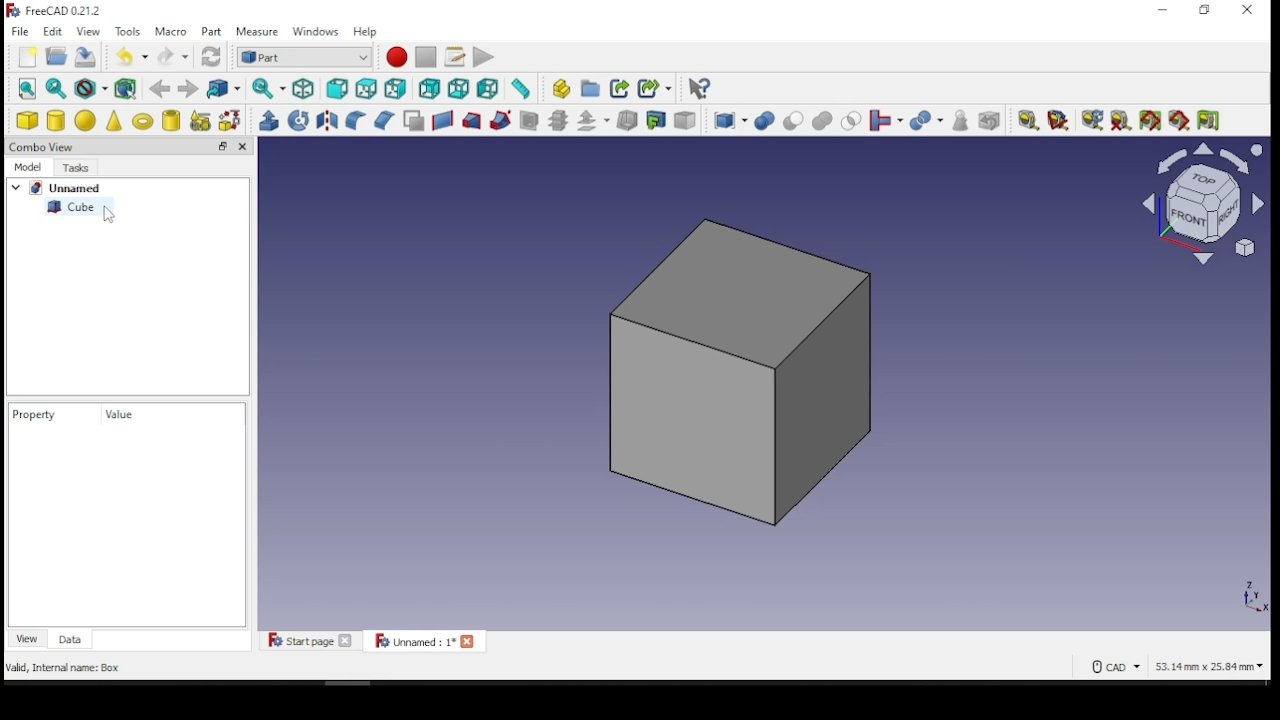 This screenshot has width=1280, height=720. I want to click on mirroring, so click(327, 119).